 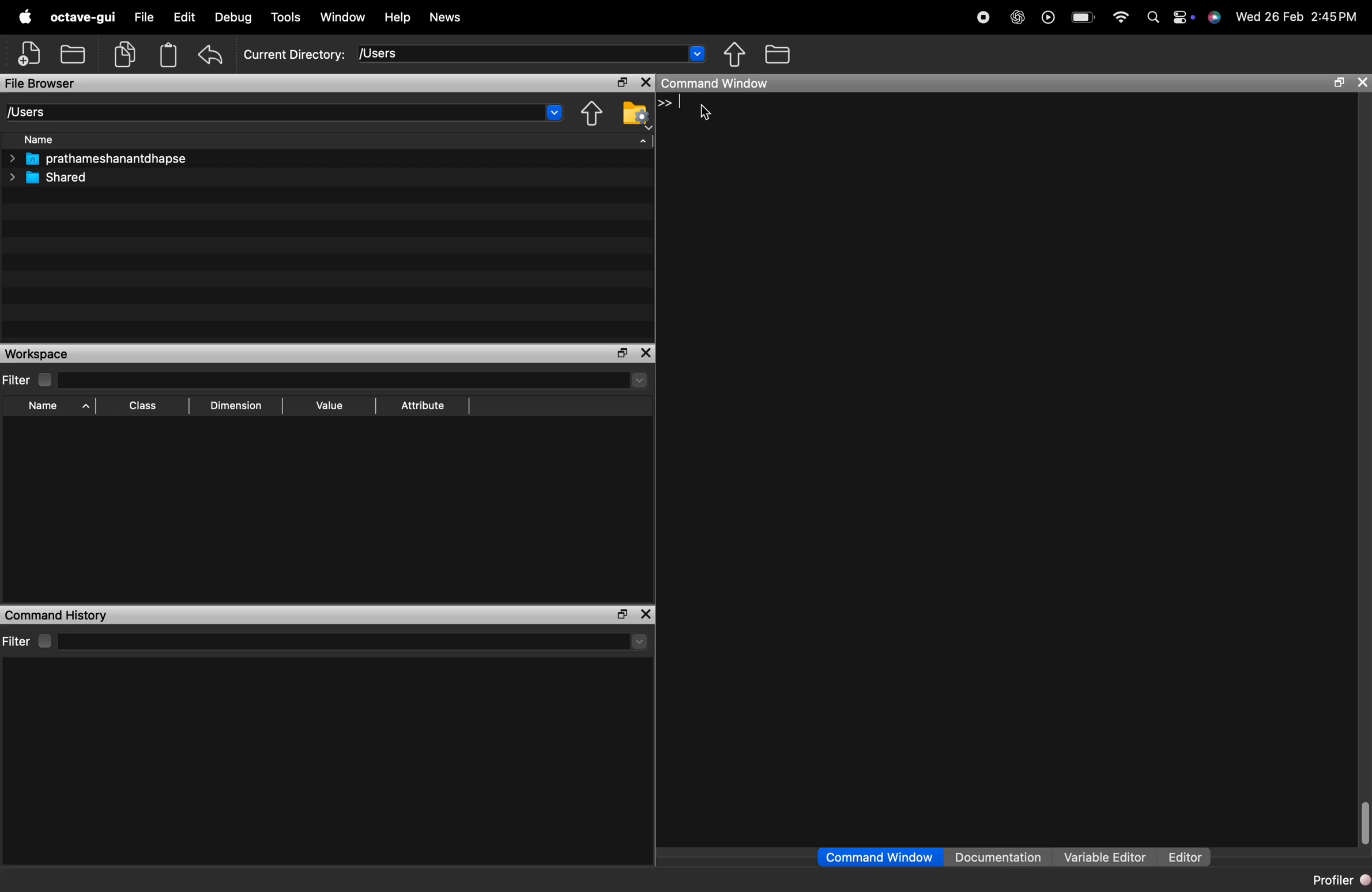 I want to click on prathameshanantdhapse, so click(x=108, y=160).